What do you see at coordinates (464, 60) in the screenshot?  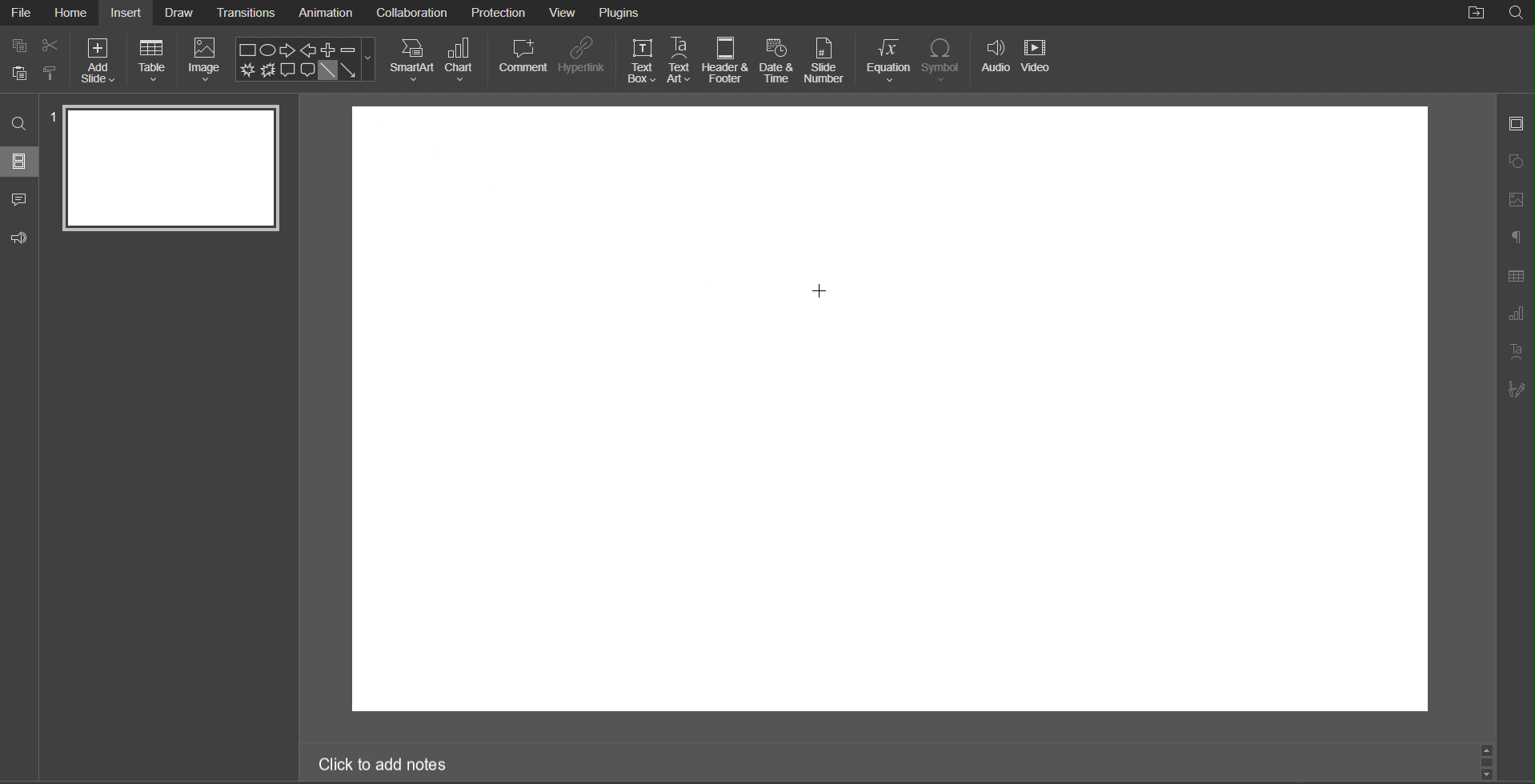 I see `Chart` at bounding box center [464, 60].